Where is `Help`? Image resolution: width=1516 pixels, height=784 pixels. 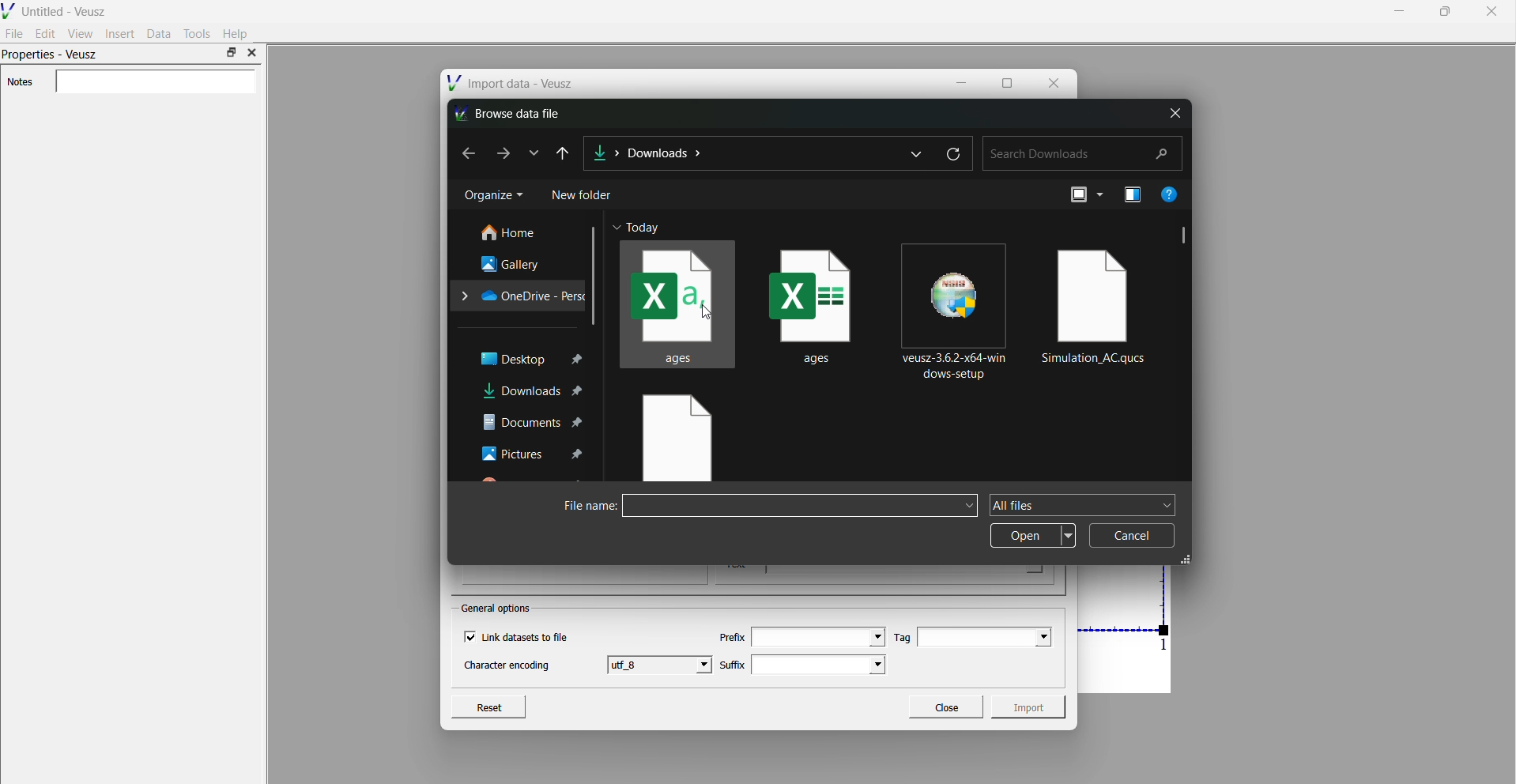
Help is located at coordinates (236, 34).